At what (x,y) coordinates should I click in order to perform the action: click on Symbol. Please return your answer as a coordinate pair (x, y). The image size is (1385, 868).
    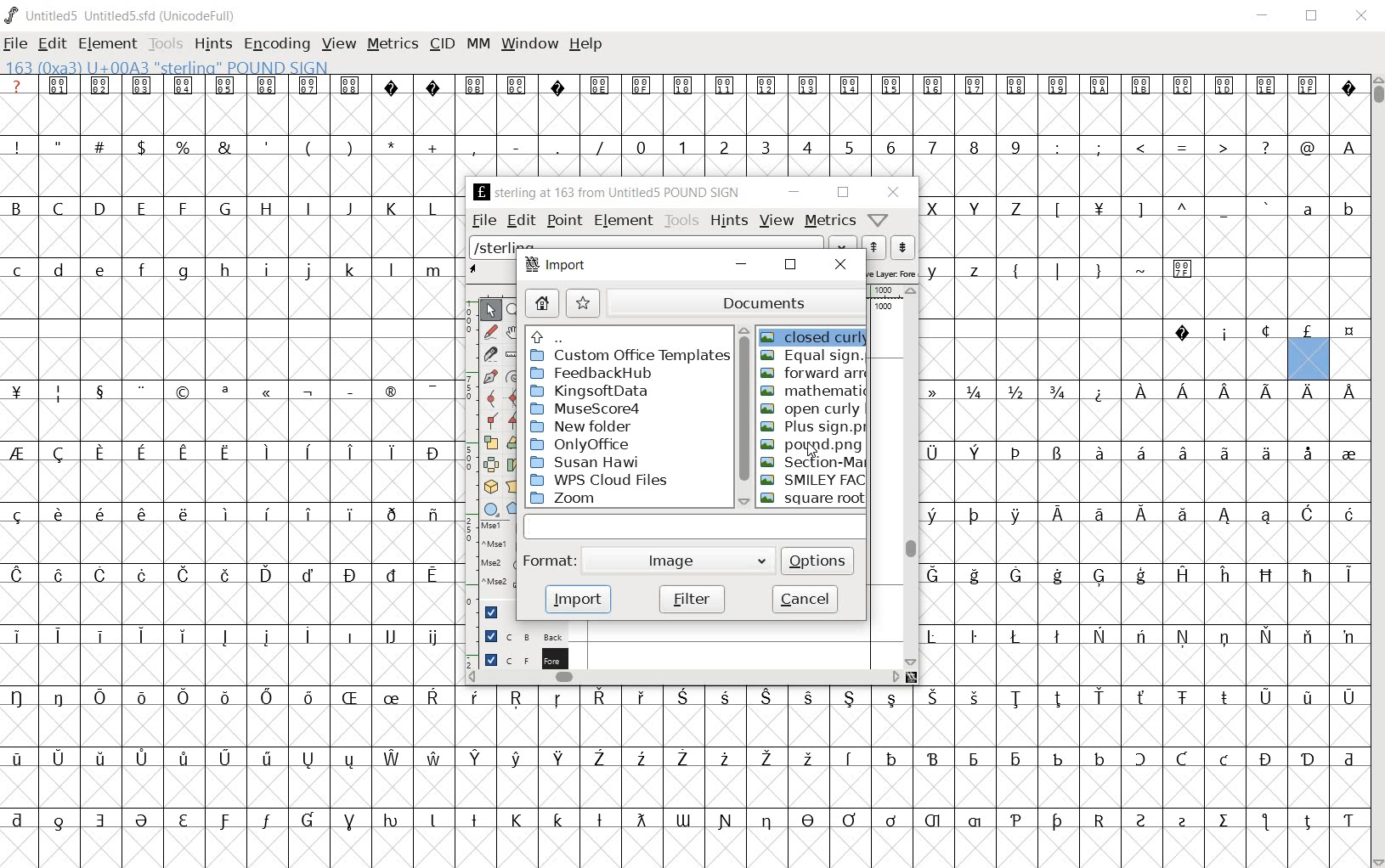
    Looking at the image, I should click on (432, 578).